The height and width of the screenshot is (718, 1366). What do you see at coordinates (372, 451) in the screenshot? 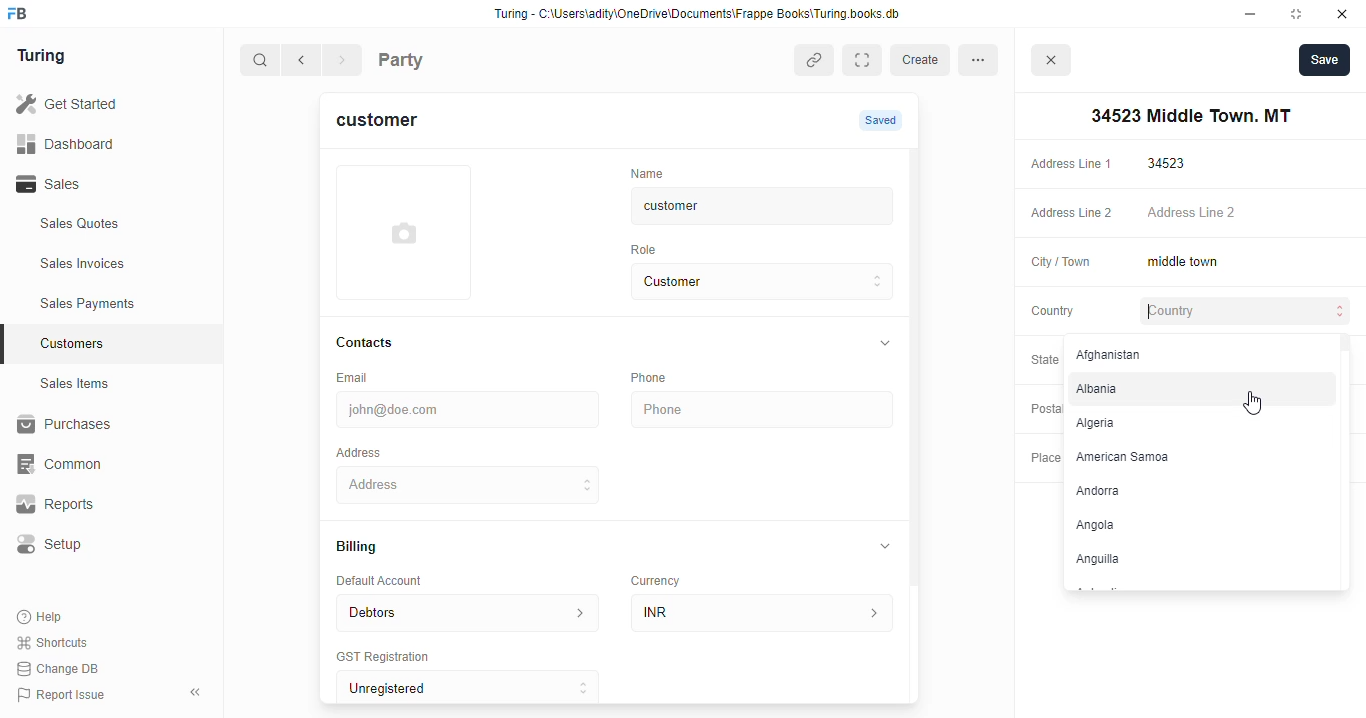
I see `Address` at bounding box center [372, 451].